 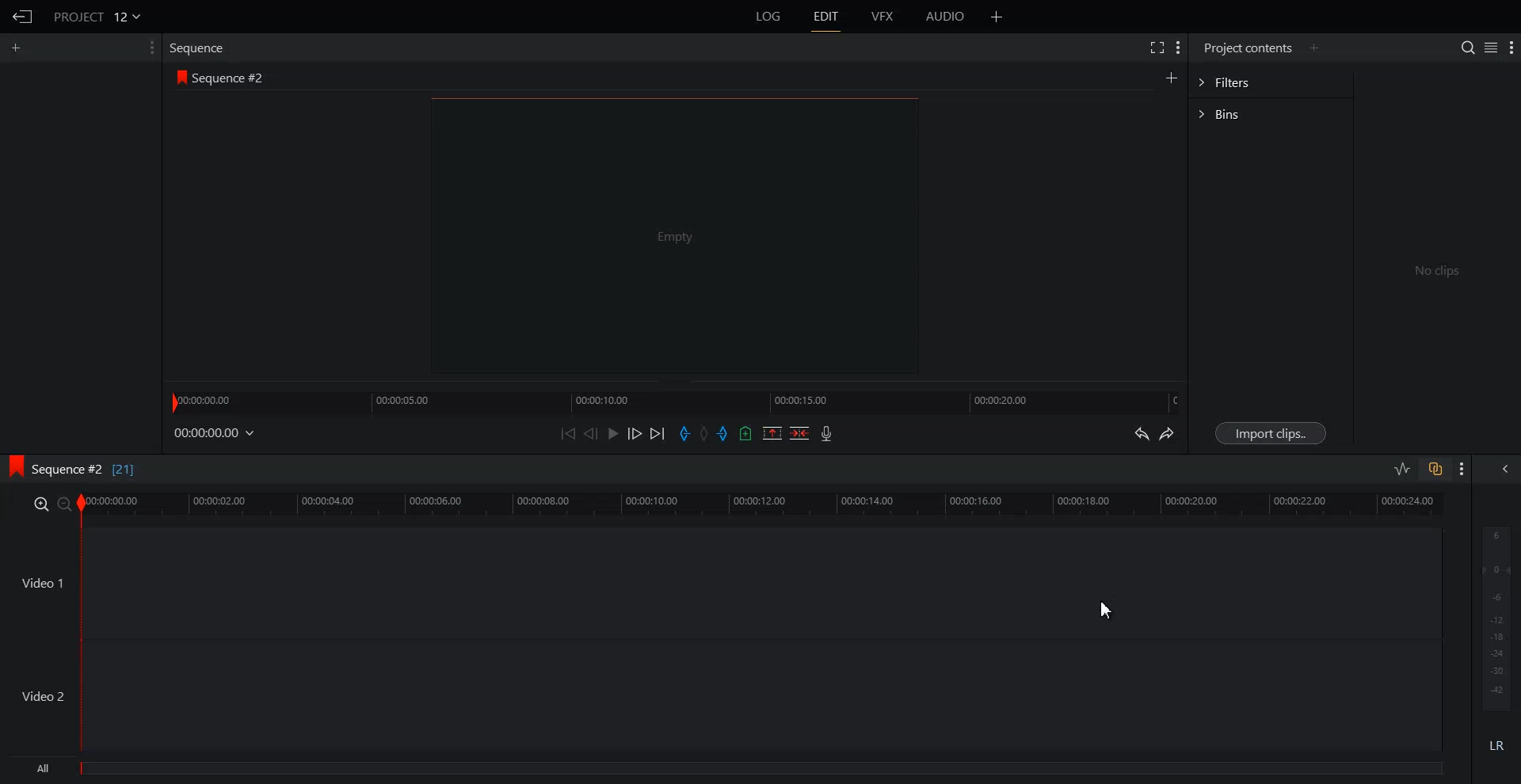 What do you see at coordinates (24, 17) in the screenshot?
I see `Go Back` at bounding box center [24, 17].